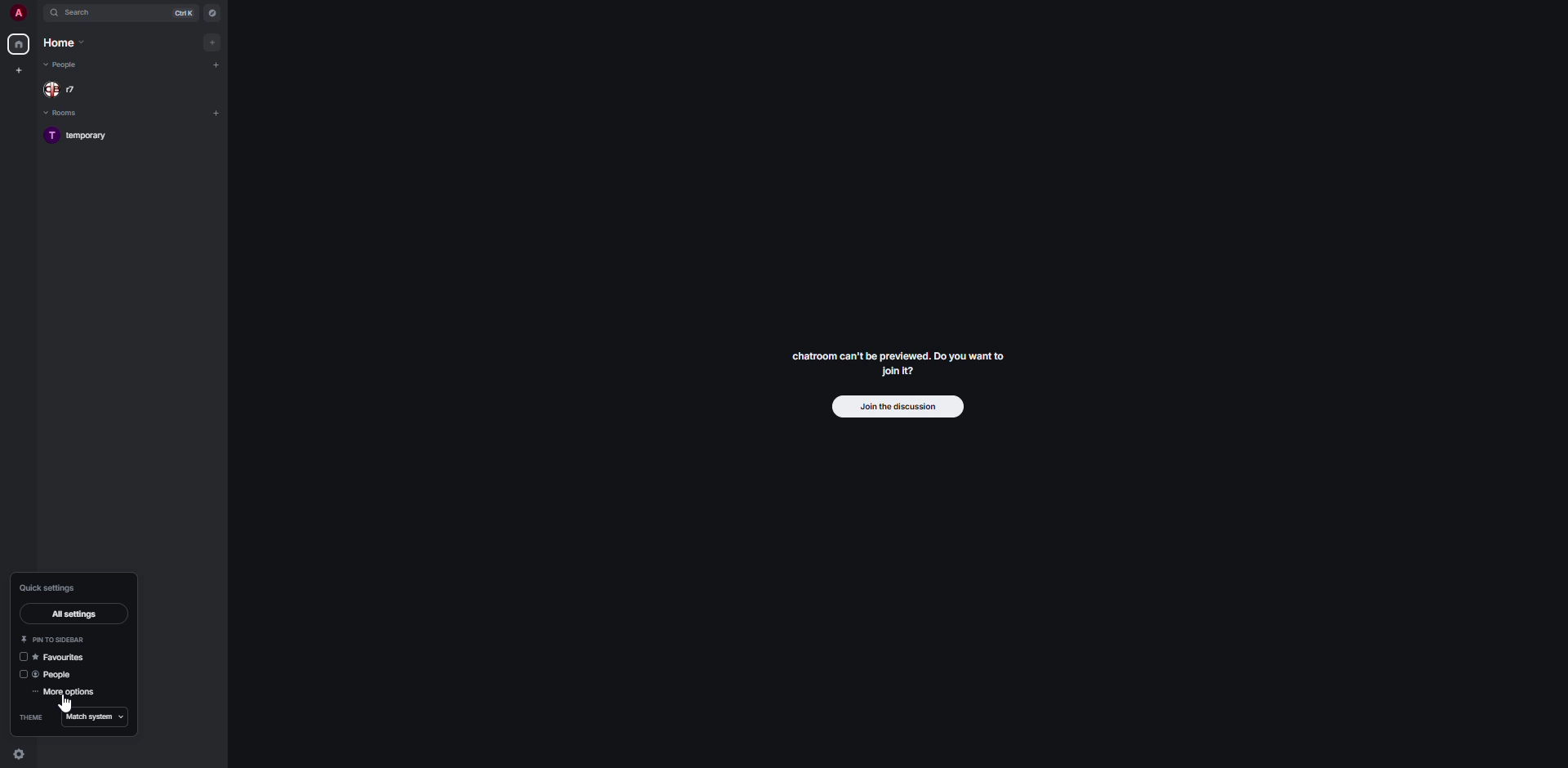  Describe the element at coordinates (47, 587) in the screenshot. I see `quick settings` at that location.